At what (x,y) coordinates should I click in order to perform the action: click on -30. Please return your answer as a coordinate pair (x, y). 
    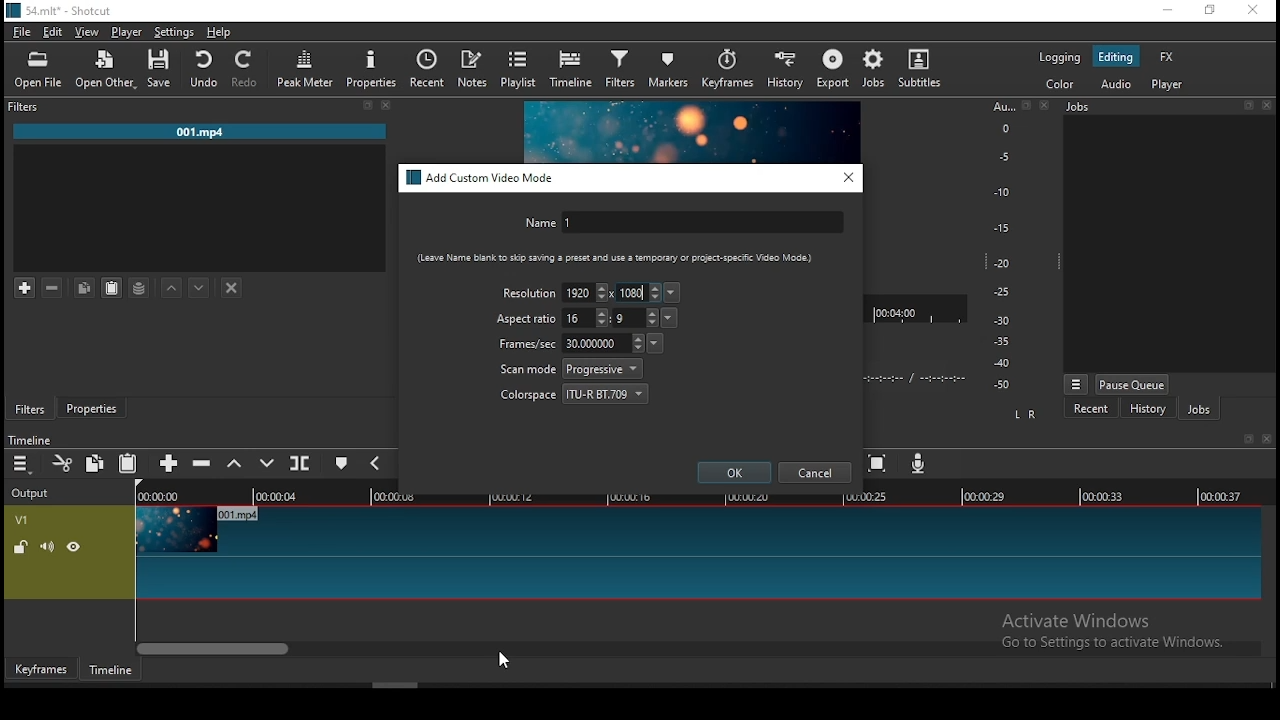
    Looking at the image, I should click on (1005, 320).